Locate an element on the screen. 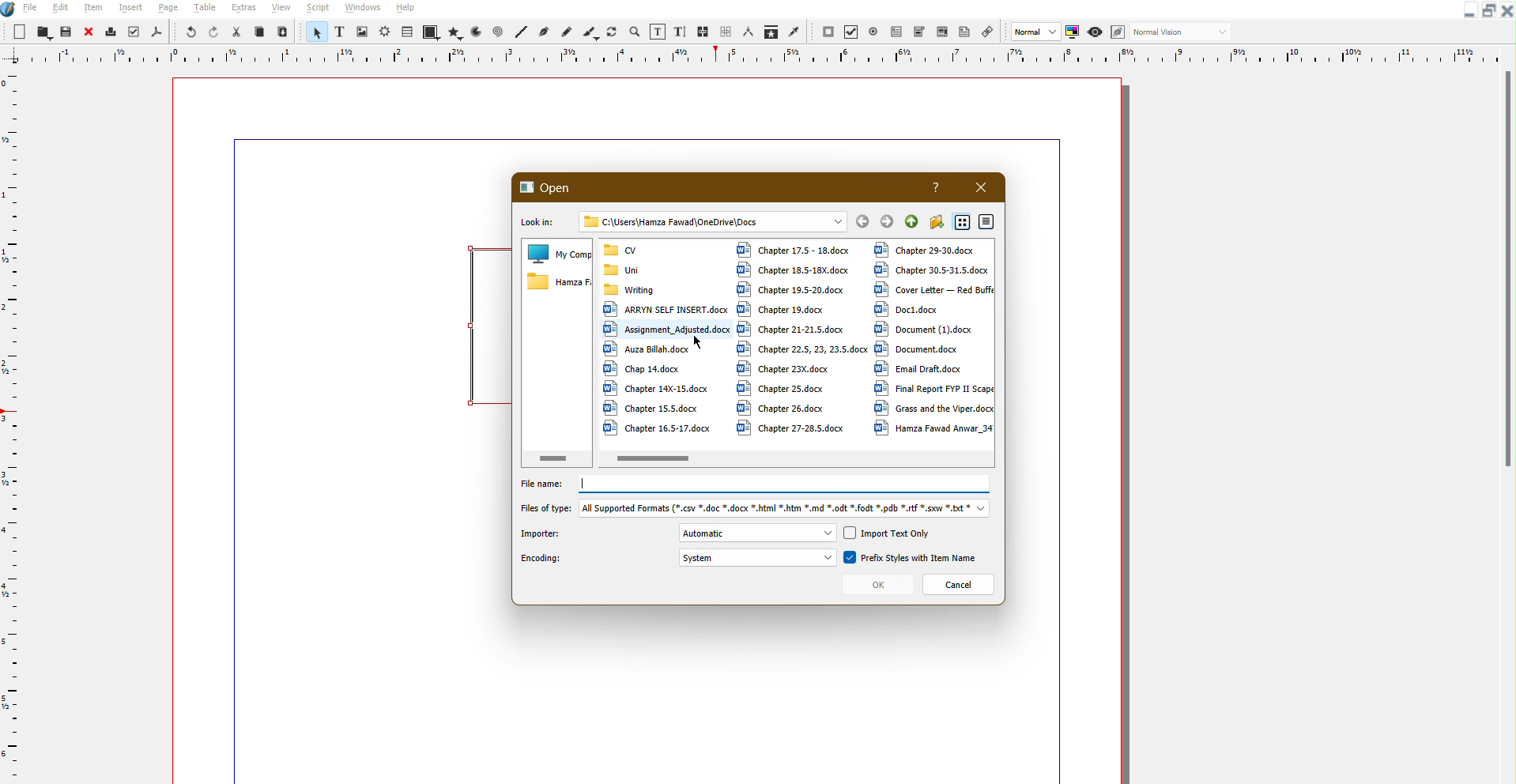 The width and height of the screenshot is (1516, 784). Cancel is located at coordinates (958, 584).